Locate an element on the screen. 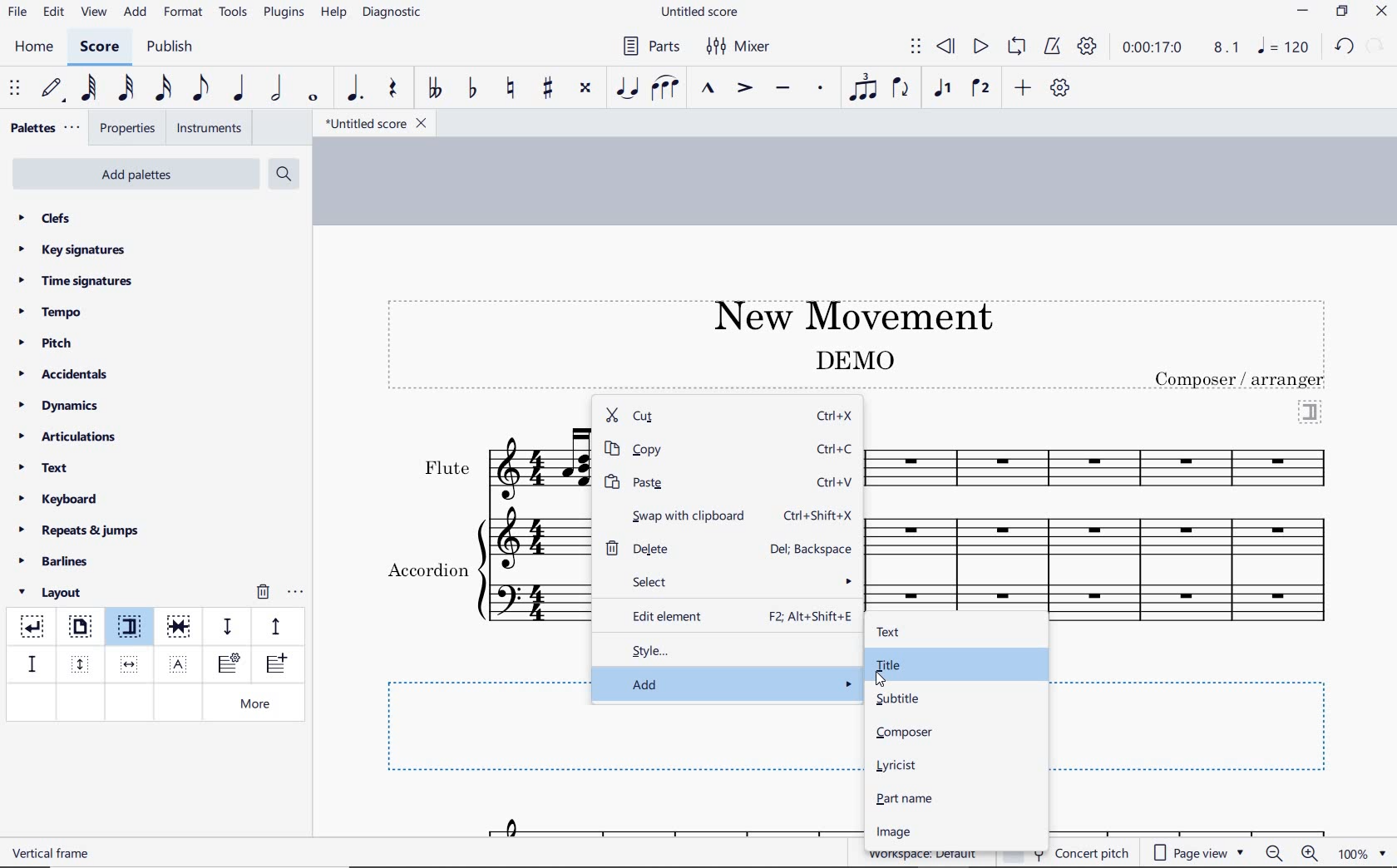 This screenshot has width=1397, height=868. slur is located at coordinates (666, 89).